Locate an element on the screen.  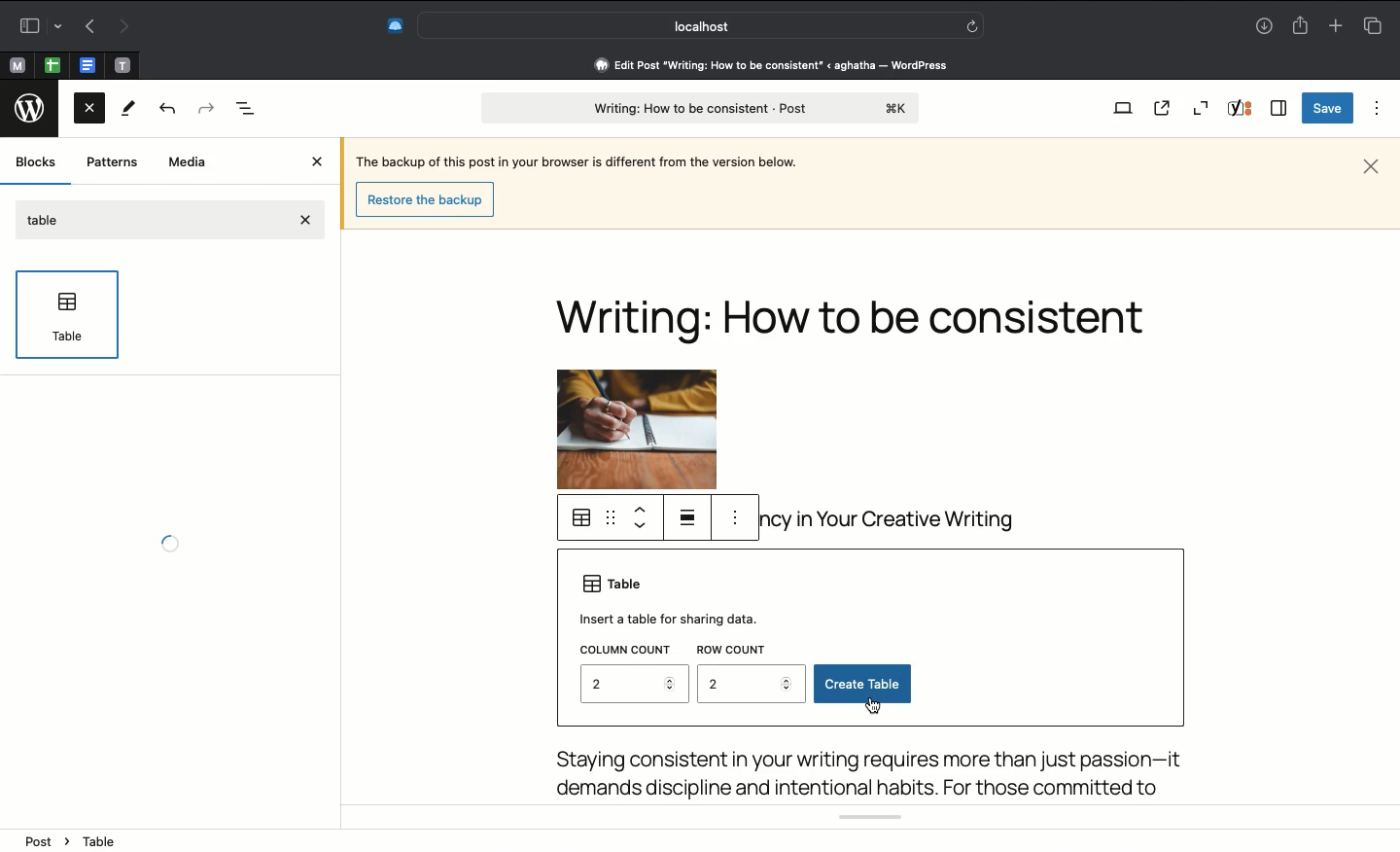
2 is located at coordinates (752, 684).